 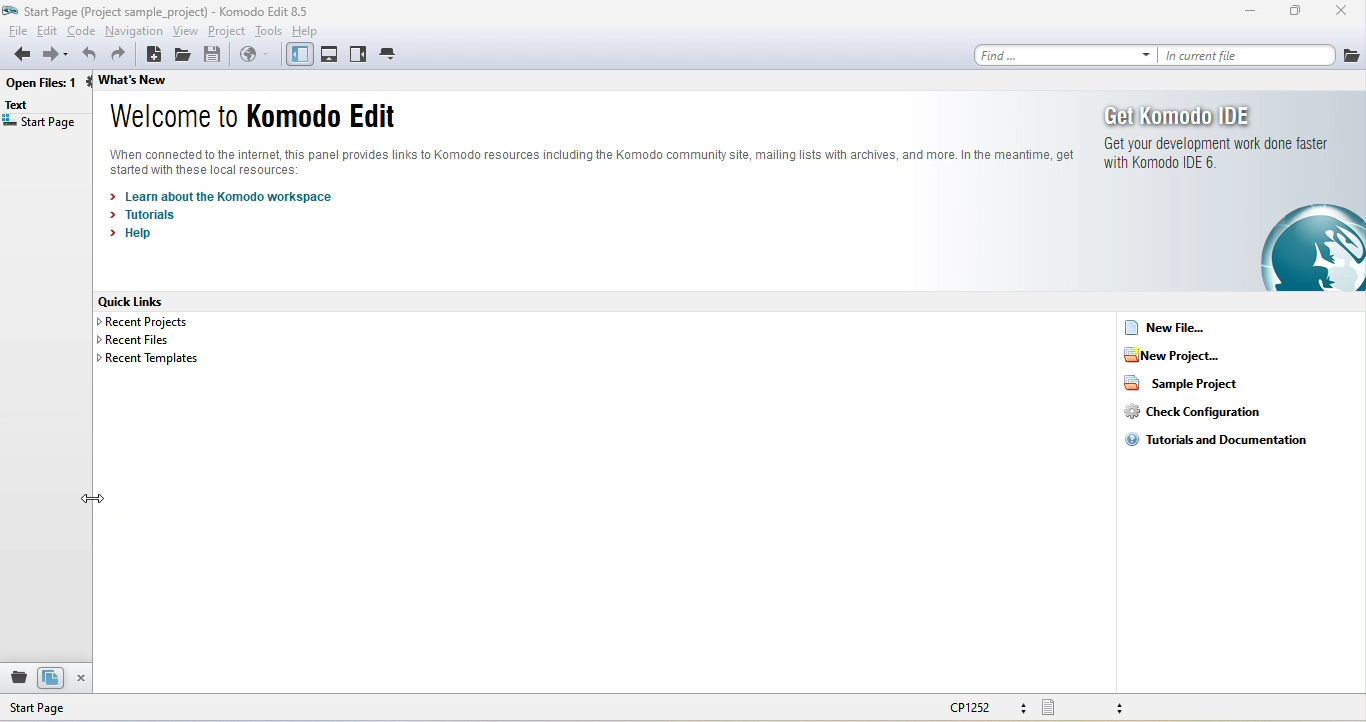 What do you see at coordinates (253, 57) in the screenshot?
I see `browse` at bounding box center [253, 57].